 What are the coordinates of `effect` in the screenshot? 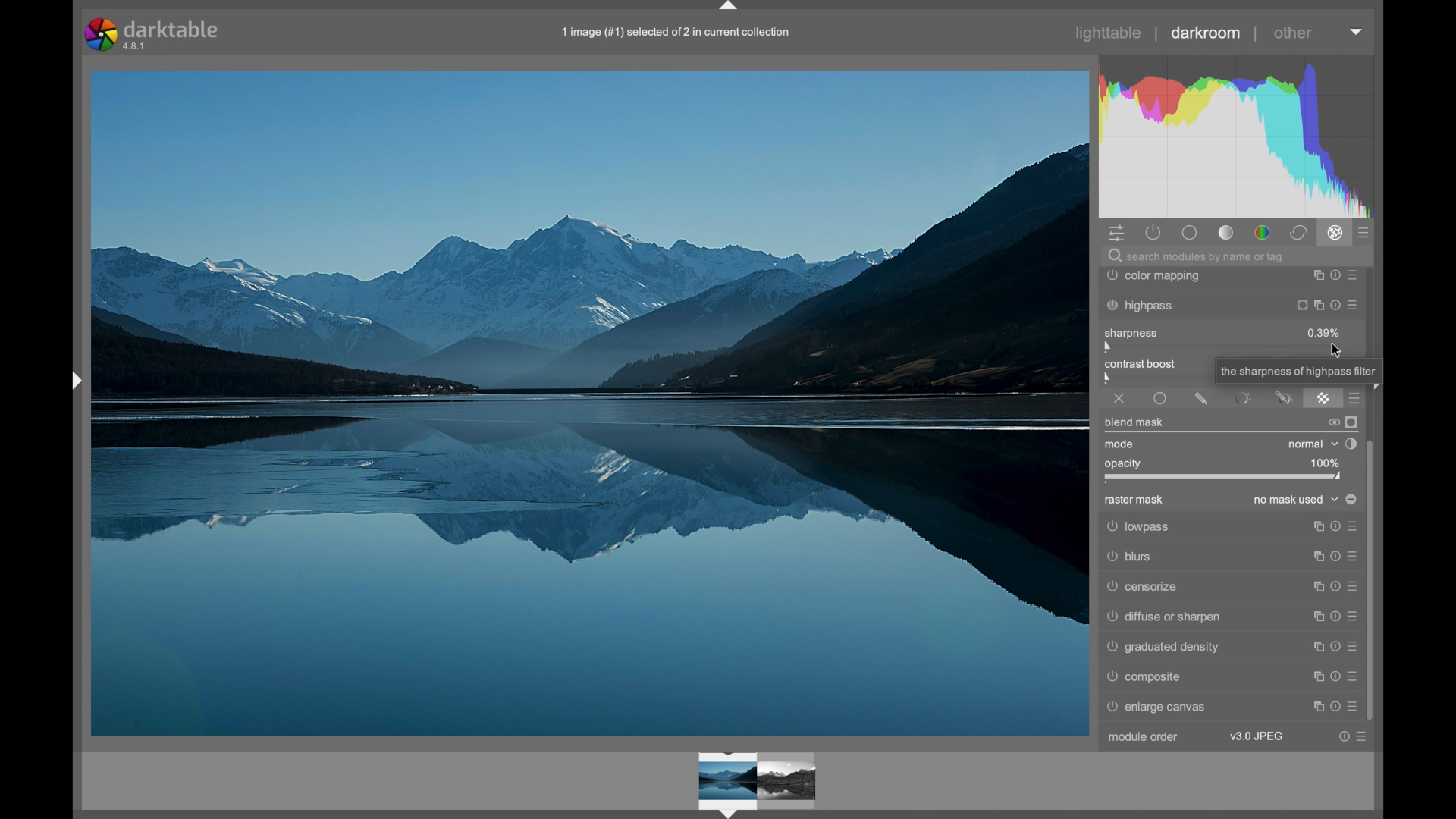 It's located at (1335, 233).